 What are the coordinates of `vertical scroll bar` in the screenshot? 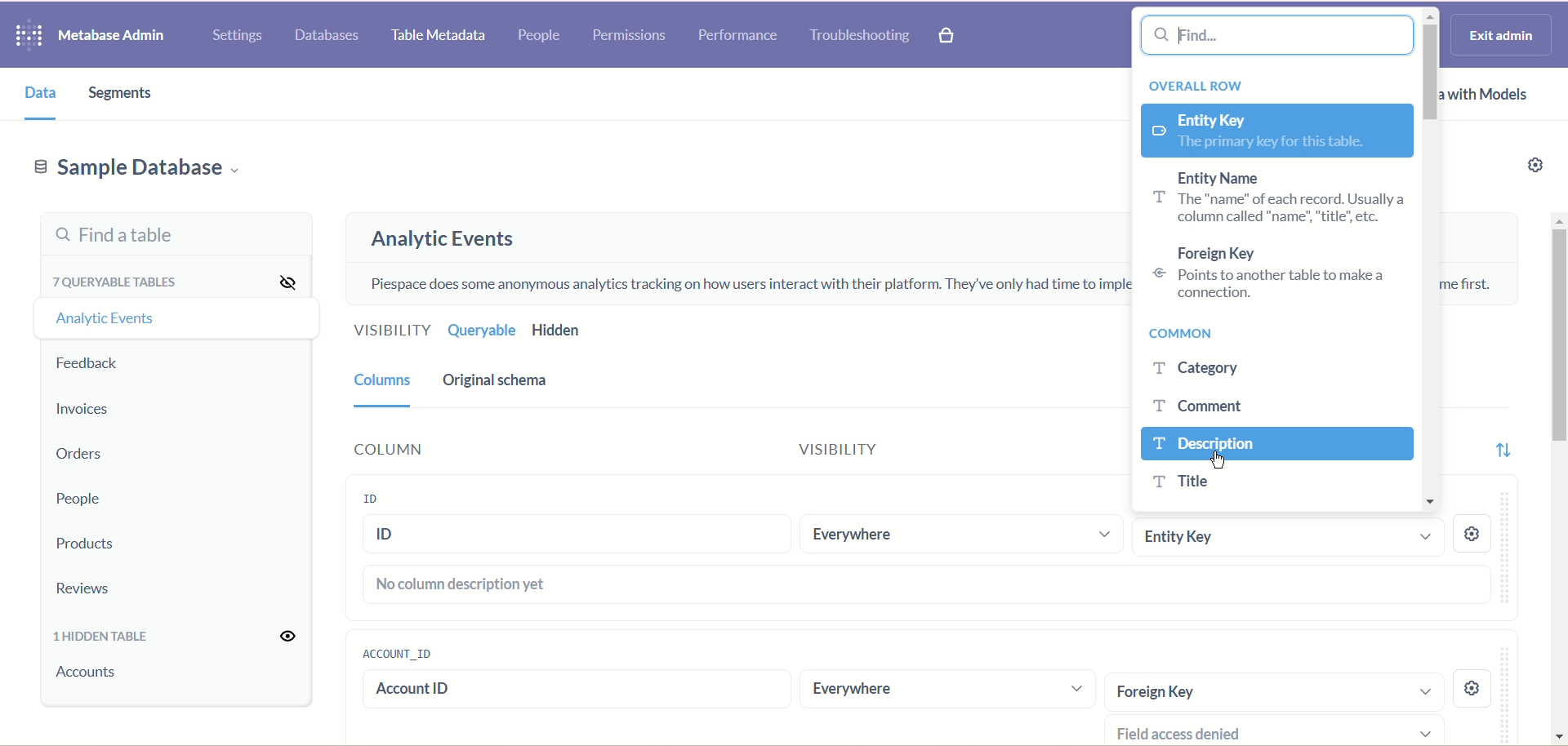 It's located at (1557, 477).